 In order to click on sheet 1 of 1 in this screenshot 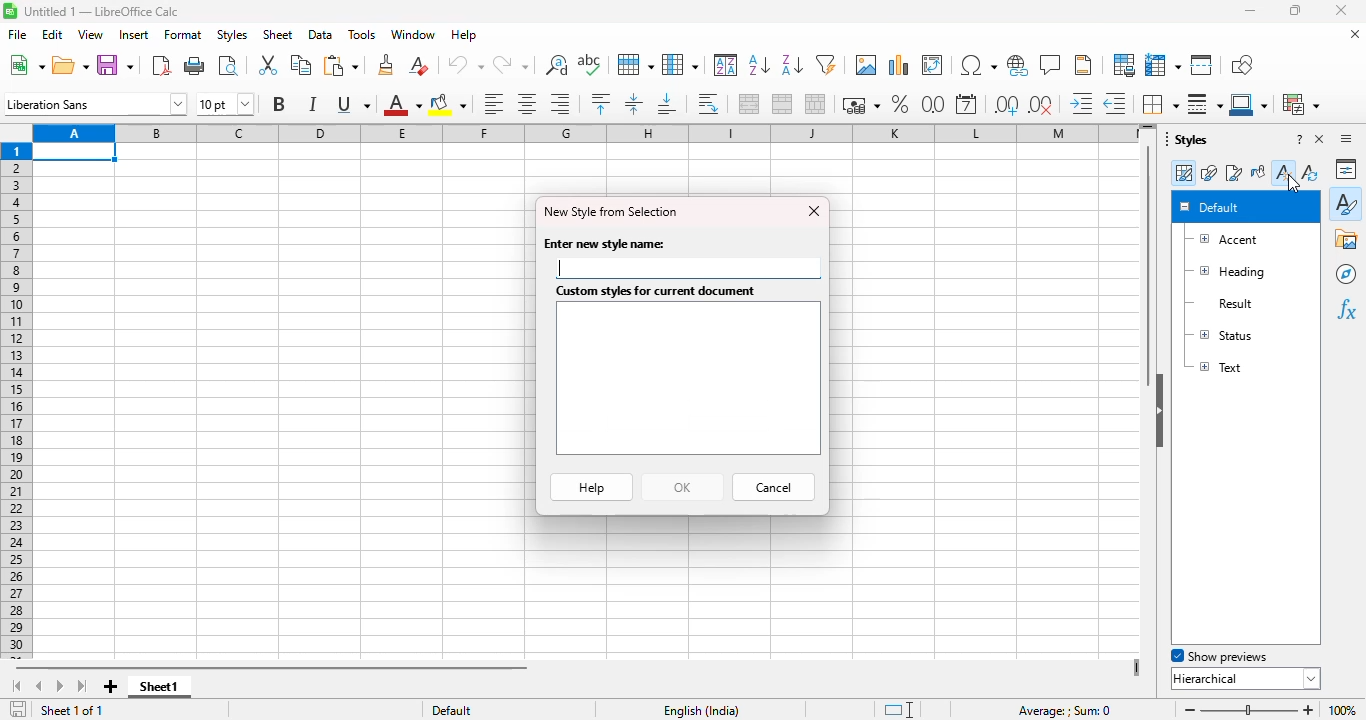, I will do `click(73, 710)`.